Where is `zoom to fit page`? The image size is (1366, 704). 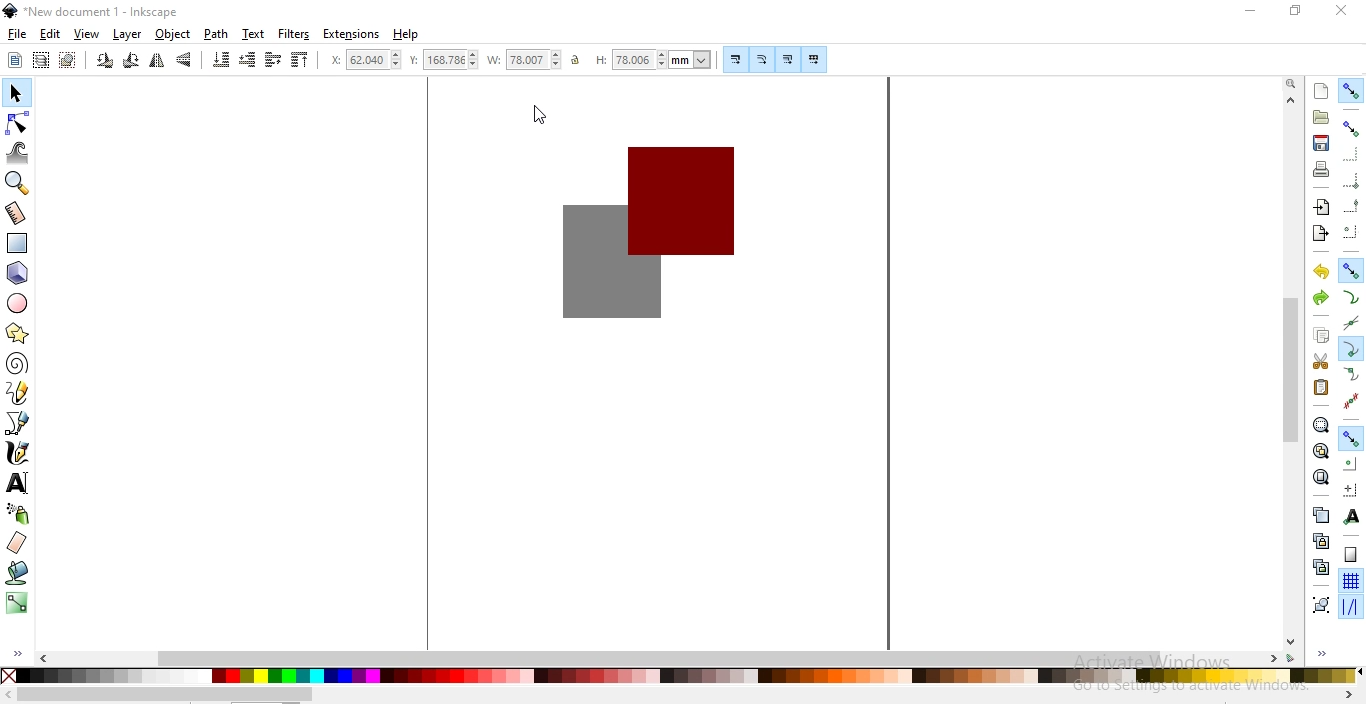
zoom to fit page is located at coordinates (1321, 477).